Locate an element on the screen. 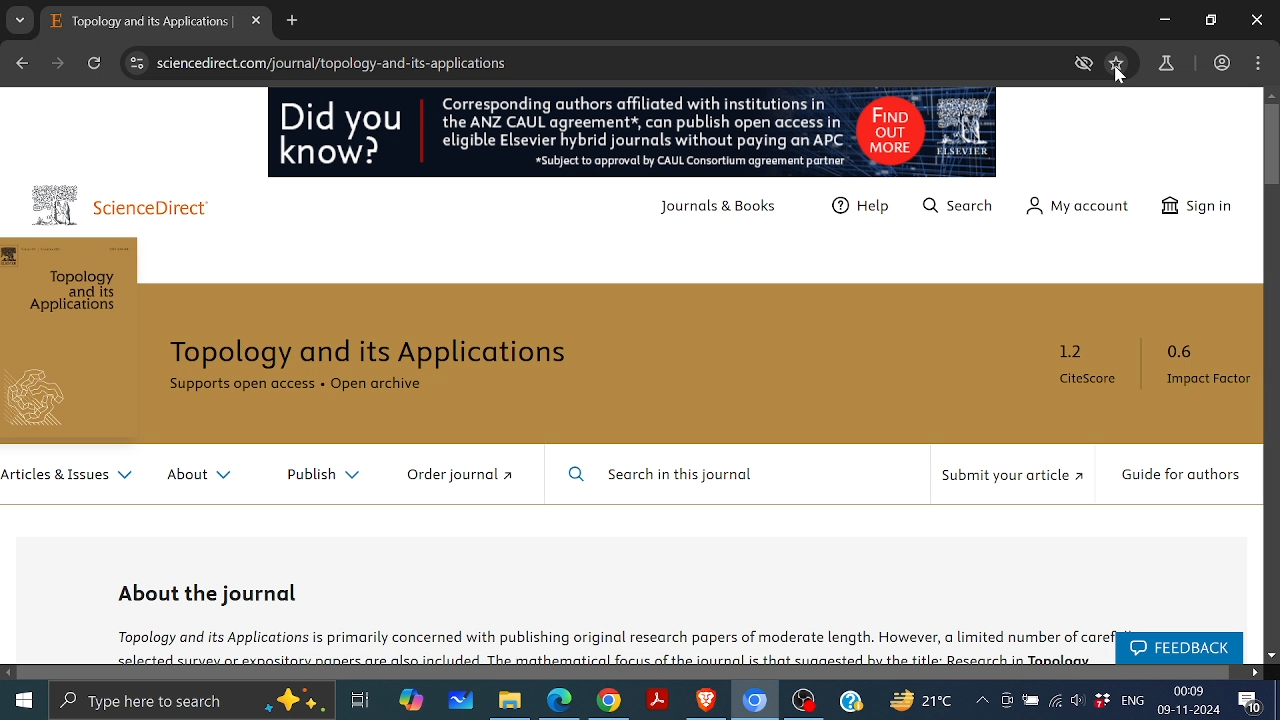  Notification is located at coordinates (1249, 702).